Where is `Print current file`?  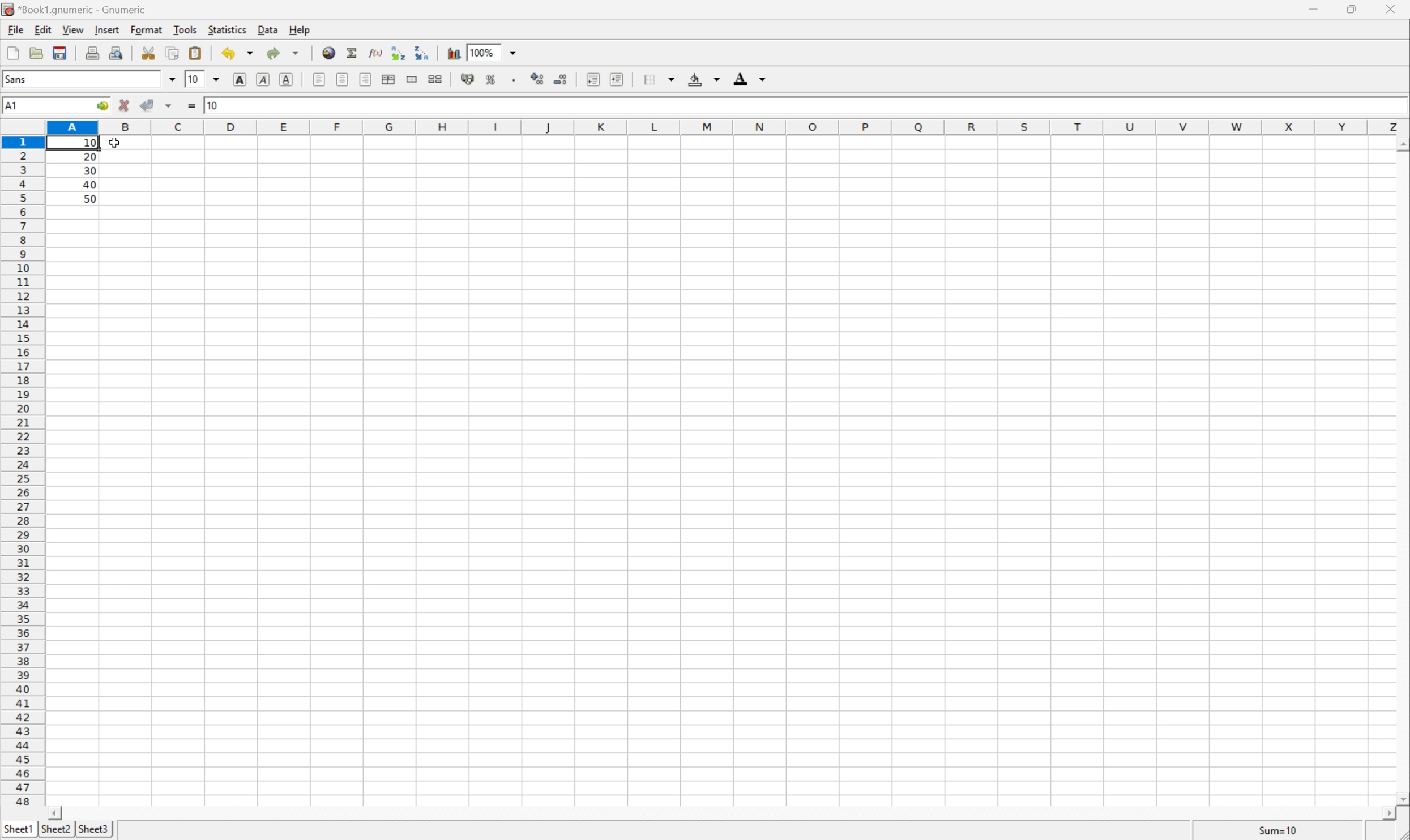 Print current file is located at coordinates (93, 53).